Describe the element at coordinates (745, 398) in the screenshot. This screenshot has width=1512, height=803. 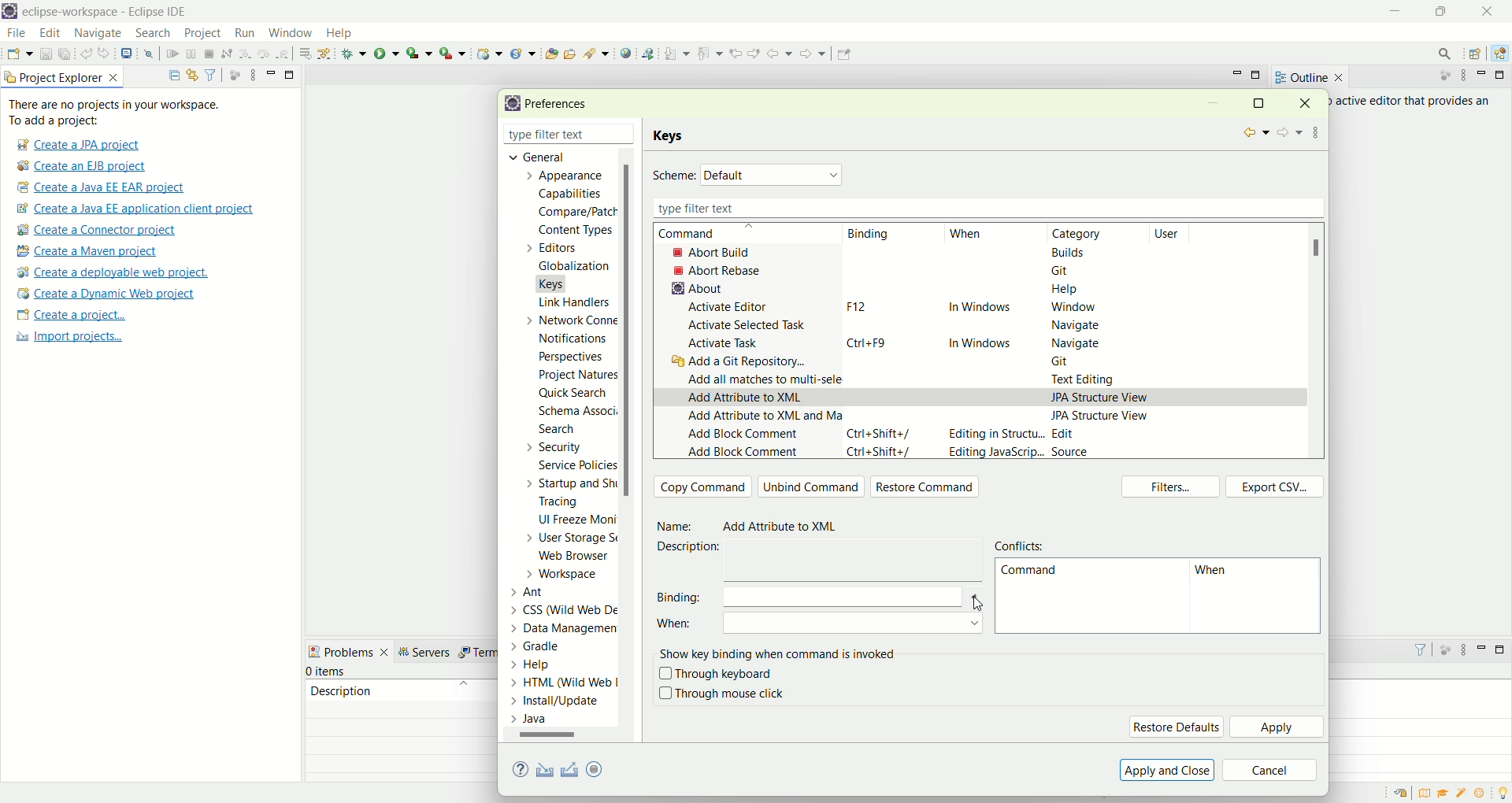
I see `add attribute to XML` at that location.